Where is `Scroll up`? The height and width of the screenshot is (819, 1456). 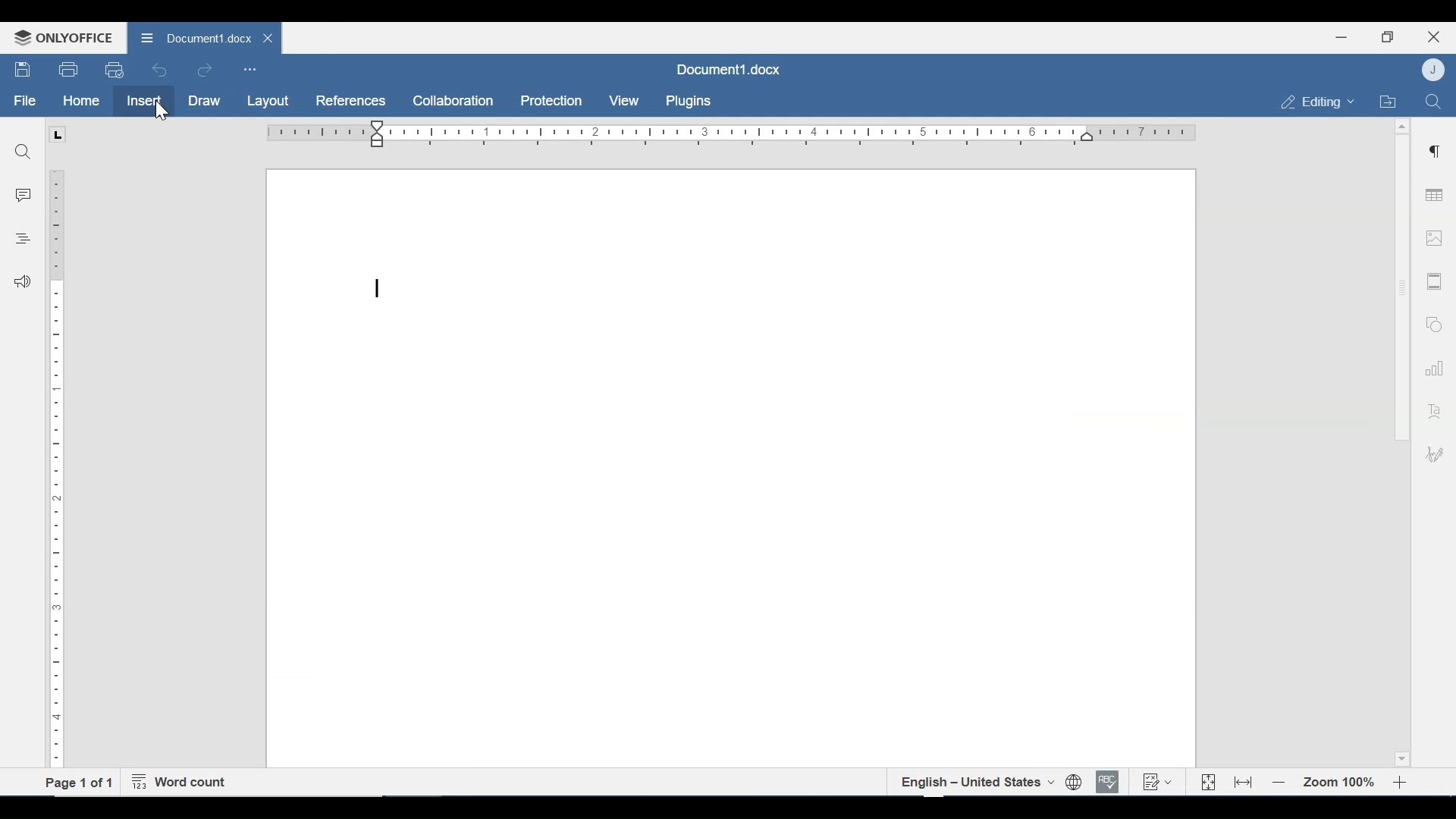 Scroll up is located at coordinates (1401, 127).